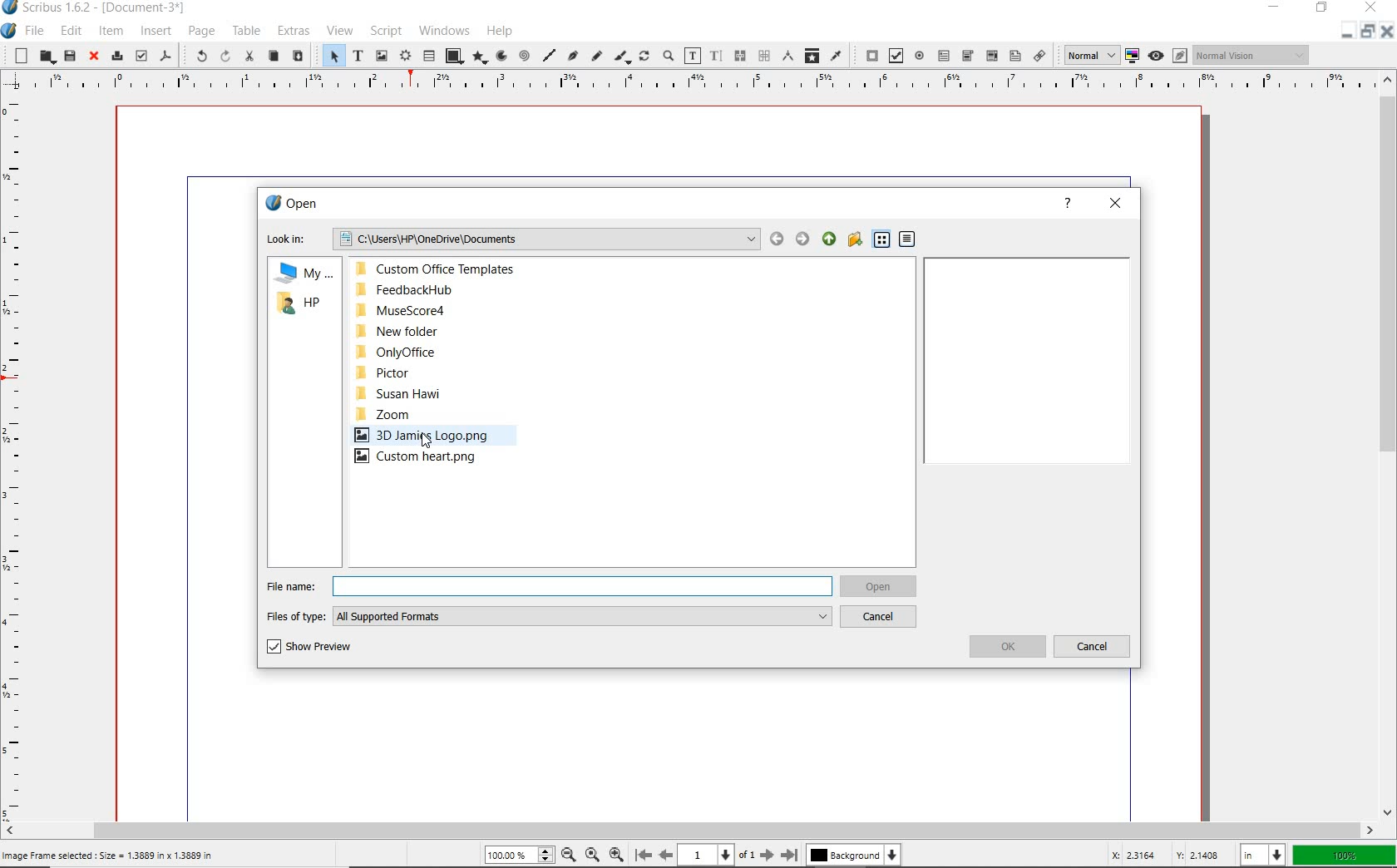 Image resolution: width=1397 pixels, height=868 pixels. What do you see at coordinates (894, 55) in the screenshot?
I see `pdf check box` at bounding box center [894, 55].